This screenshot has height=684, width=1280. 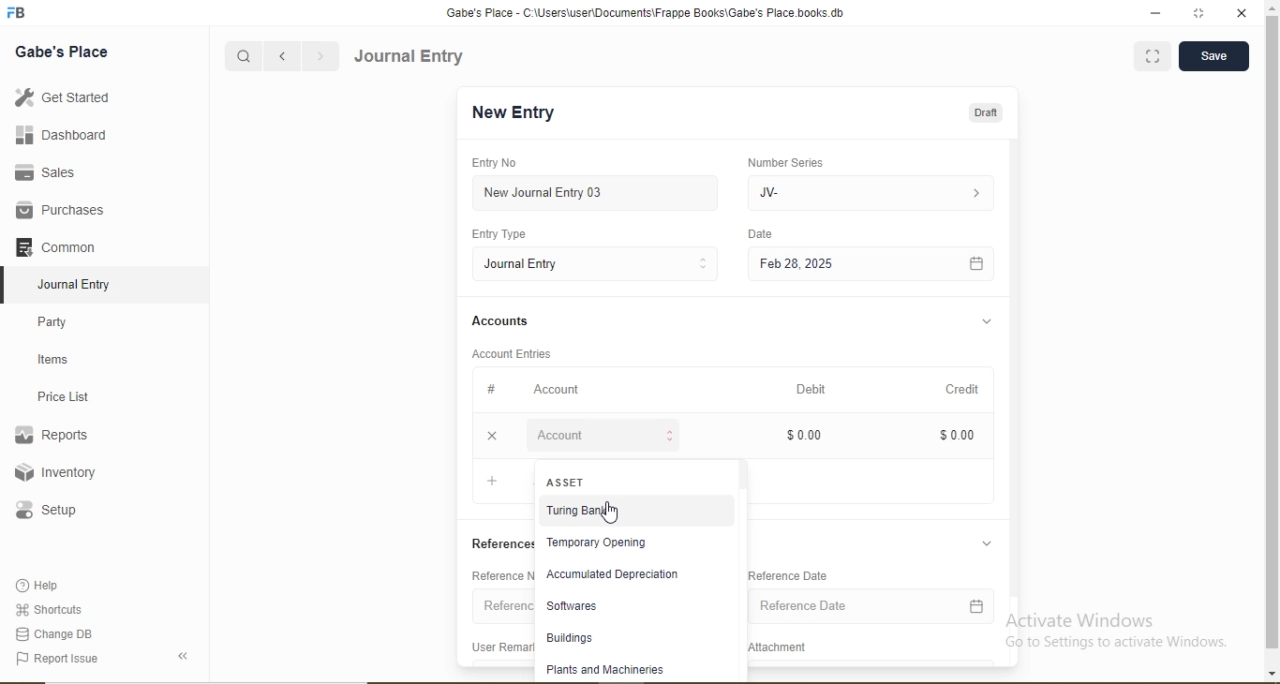 I want to click on Reference Date, so click(x=790, y=575).